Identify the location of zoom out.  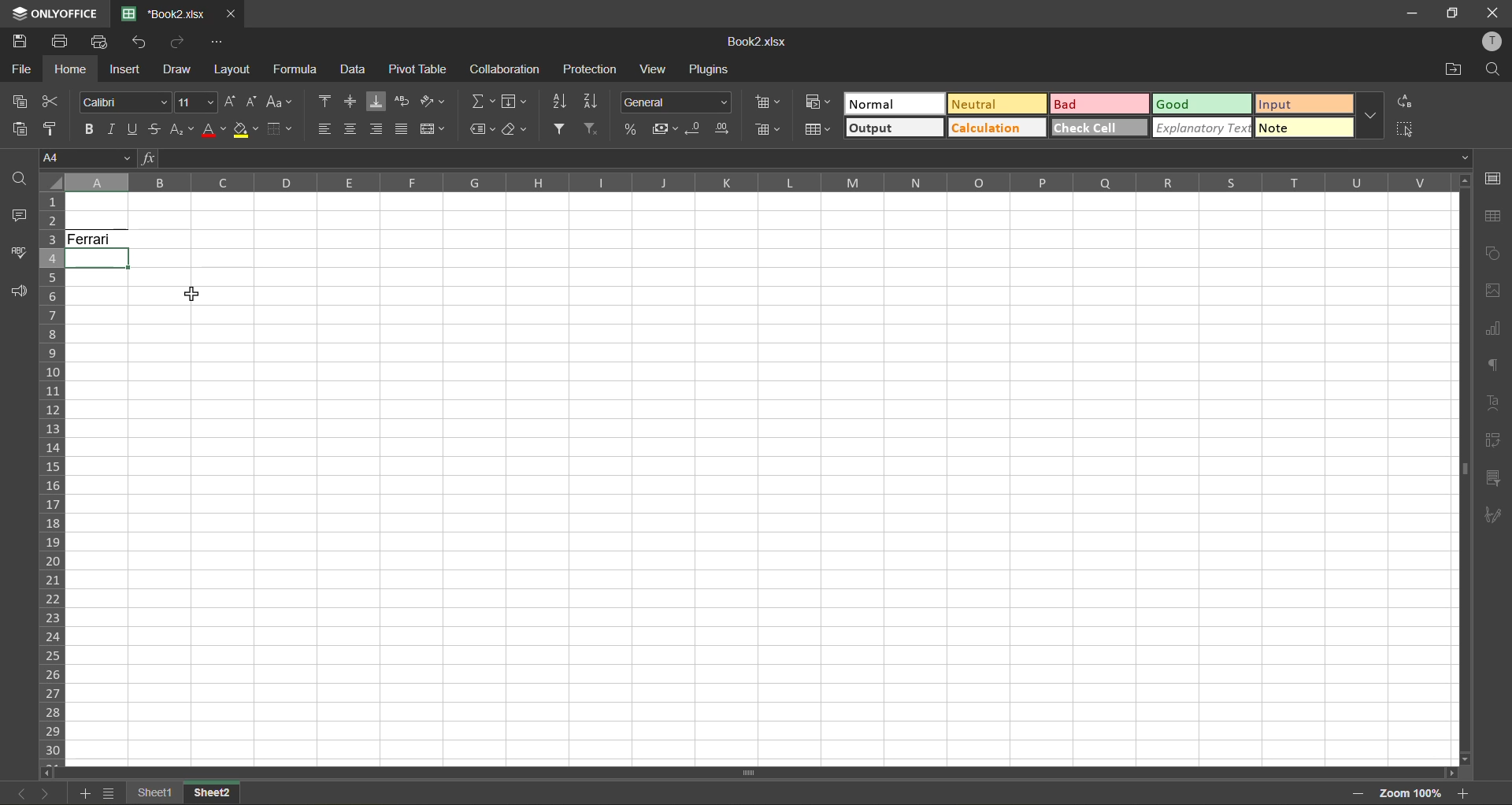
(1358, 796).